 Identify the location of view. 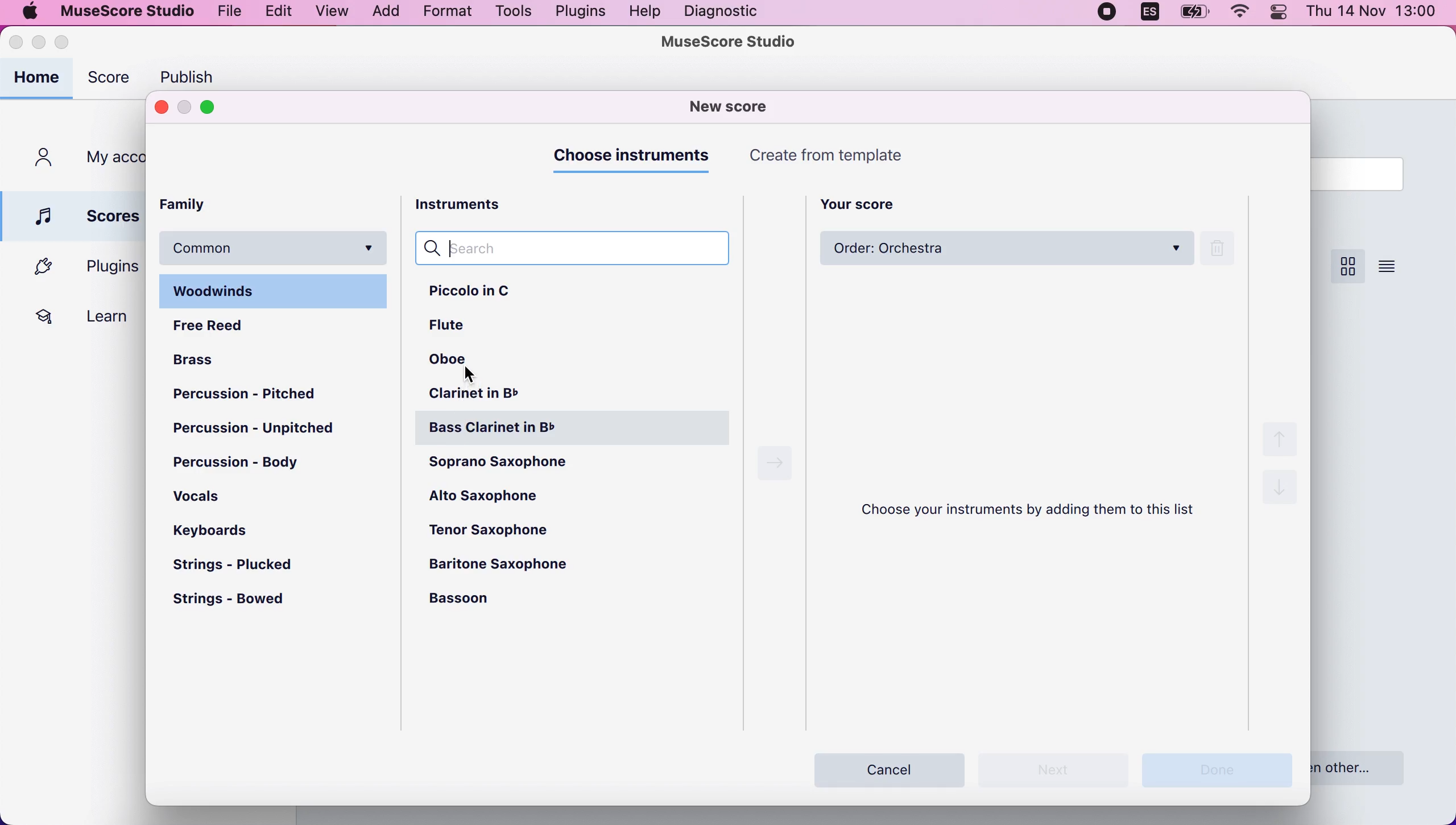
(331, 12).